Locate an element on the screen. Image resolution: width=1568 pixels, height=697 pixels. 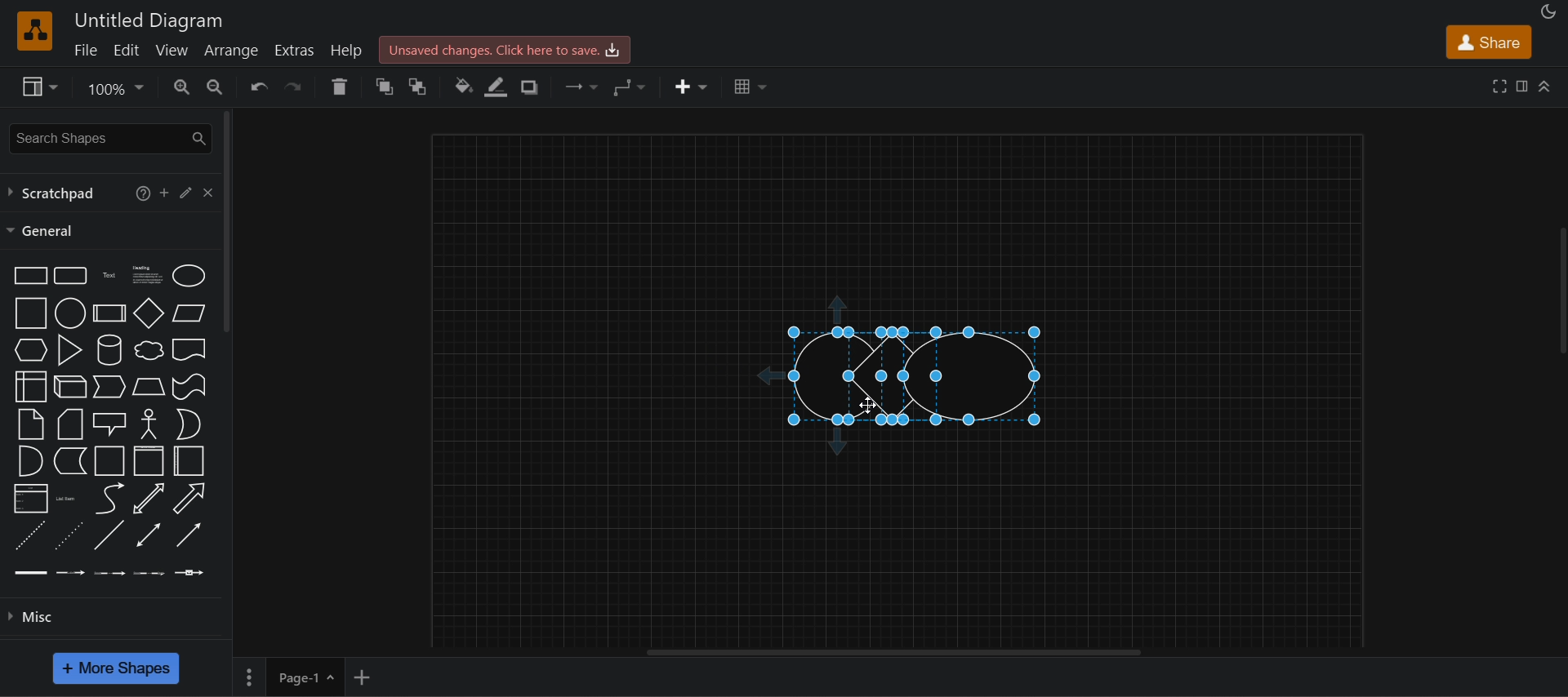
parallelogram is located at coordinates (189, 313).